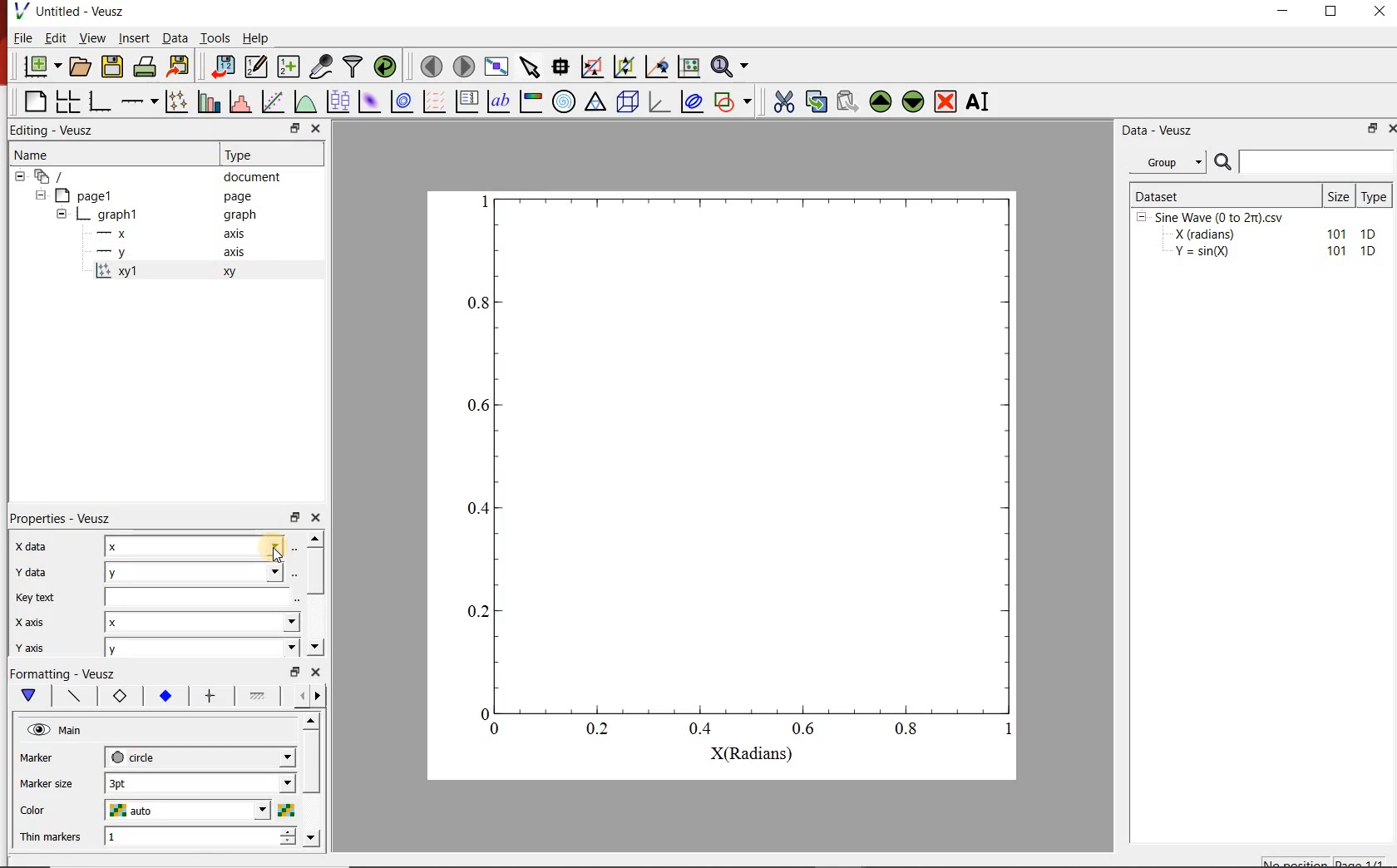 The image size is (1397, 868). What do you see at coordinates (54, 731) in the screenshot?
I see `@ main` at bounding box center [54, 731].